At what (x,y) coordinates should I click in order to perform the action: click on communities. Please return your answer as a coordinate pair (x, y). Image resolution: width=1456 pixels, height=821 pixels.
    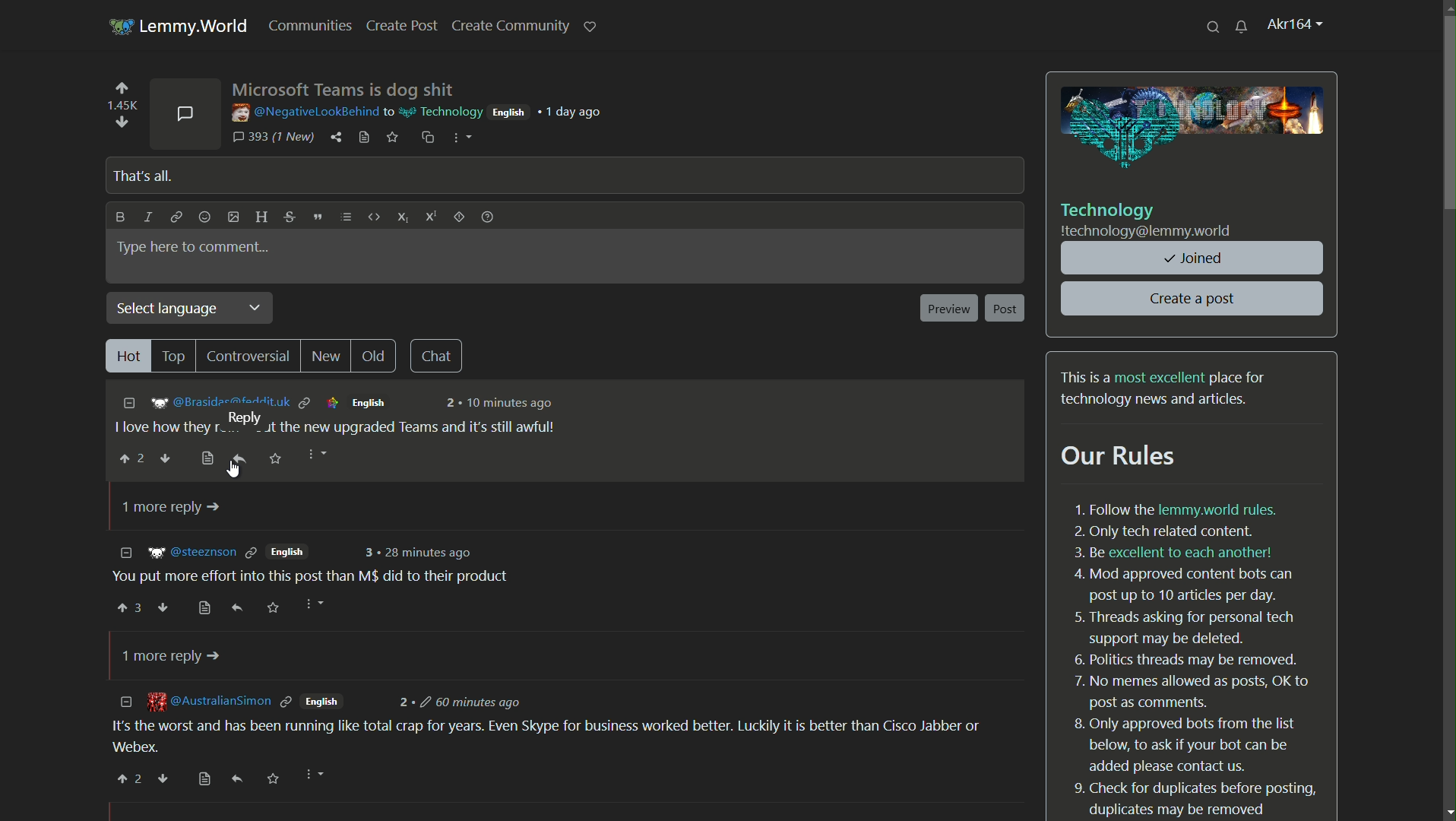
    Looking at the image, I should click on (315, 26).